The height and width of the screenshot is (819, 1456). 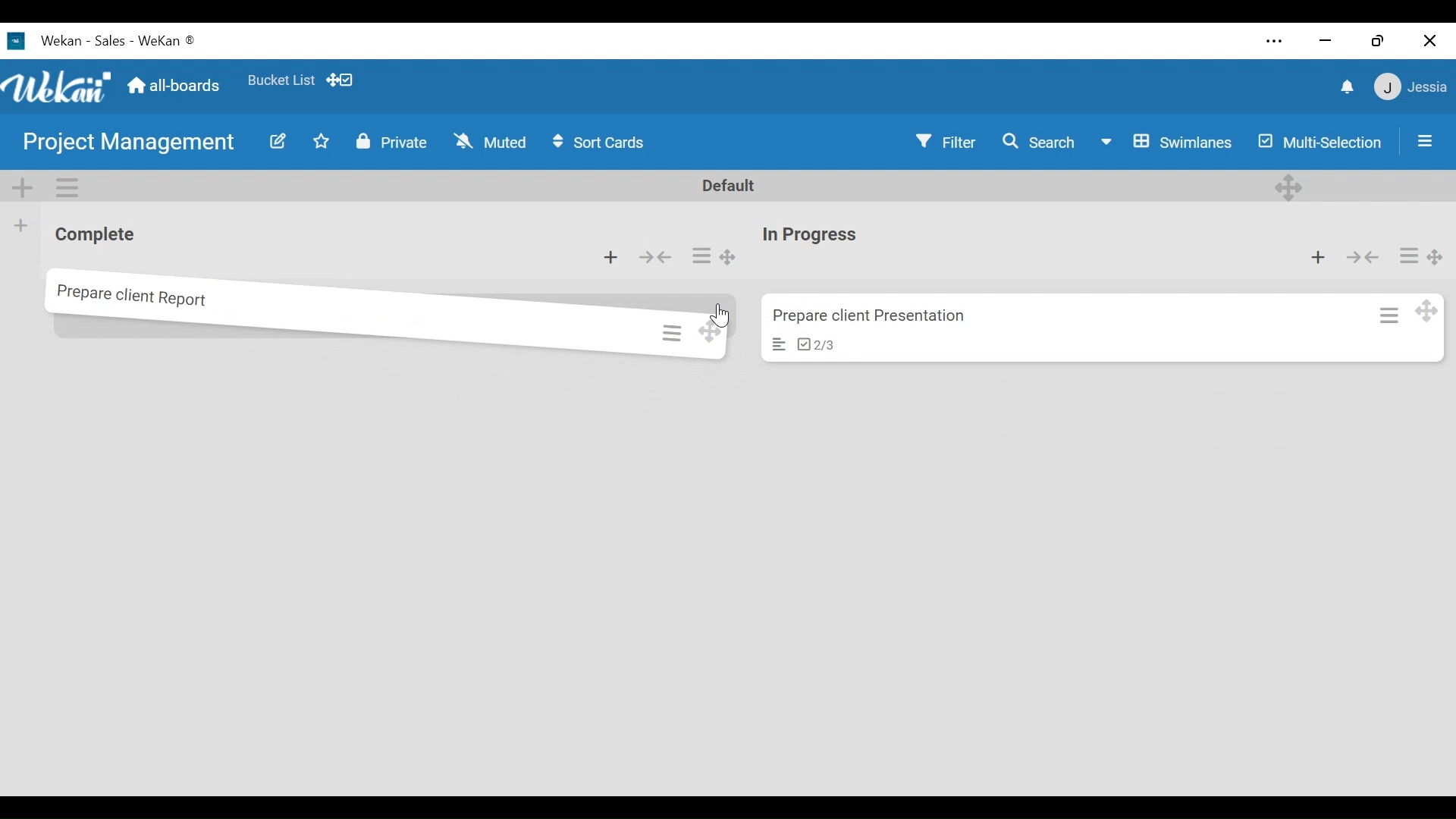 What do you see at coordinates (1319, 144) in the screenshot?
I see `Multi-Selection` at bounding box center [1319, 144].